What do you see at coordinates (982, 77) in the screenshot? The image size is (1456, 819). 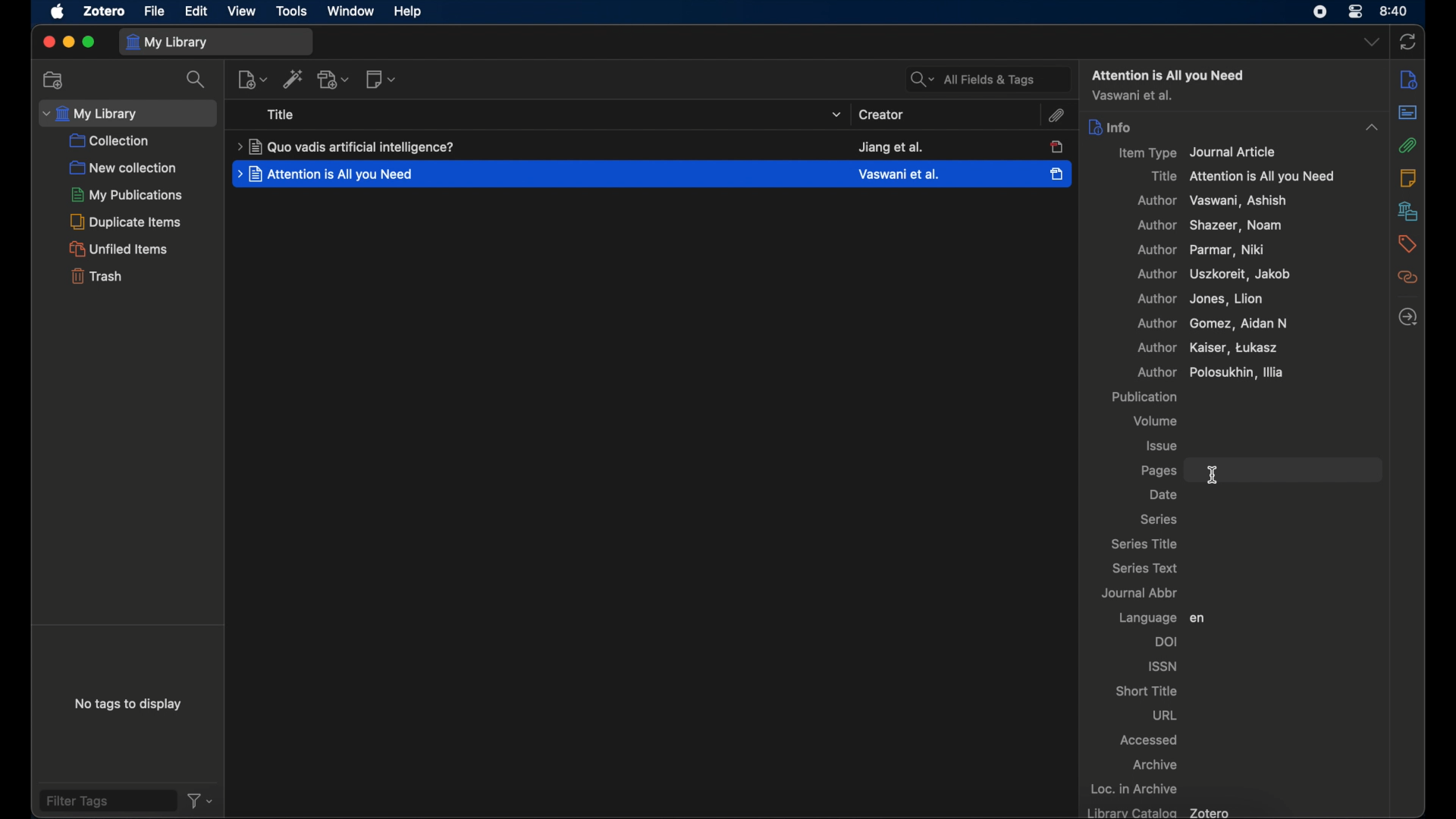 I see `all fields and tags` at bounding box center [982, 77].